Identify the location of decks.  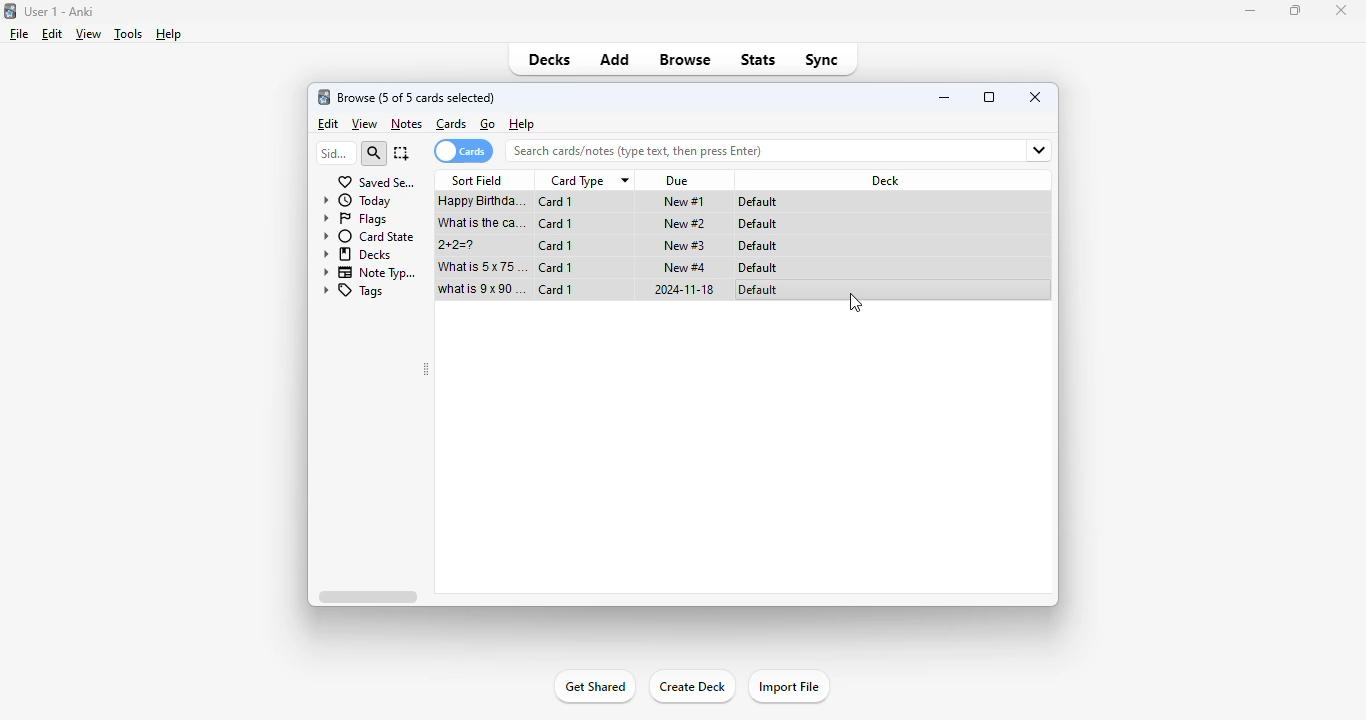
(358, 254).